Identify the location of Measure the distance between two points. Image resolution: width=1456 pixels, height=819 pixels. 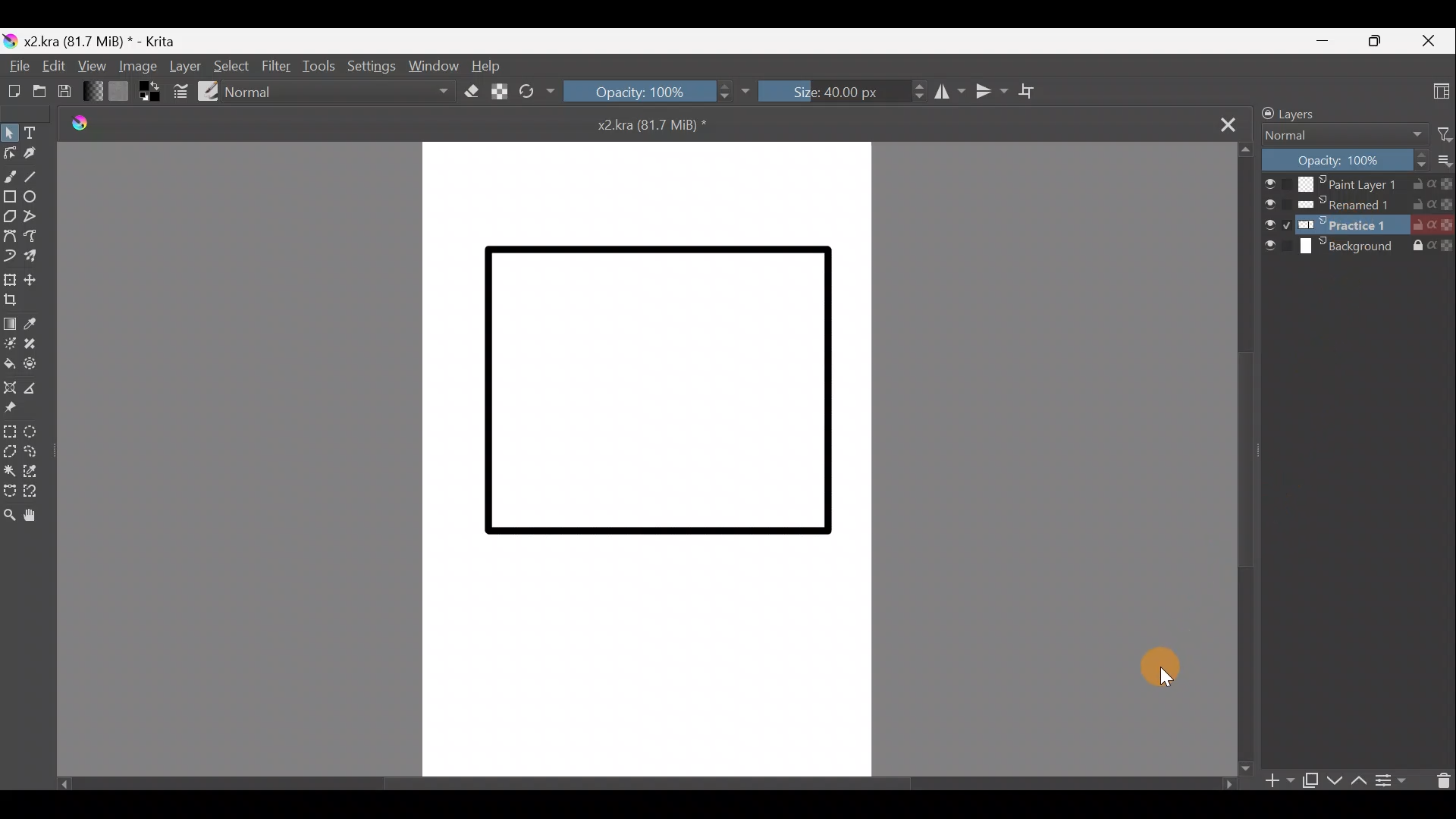
(39, 388).